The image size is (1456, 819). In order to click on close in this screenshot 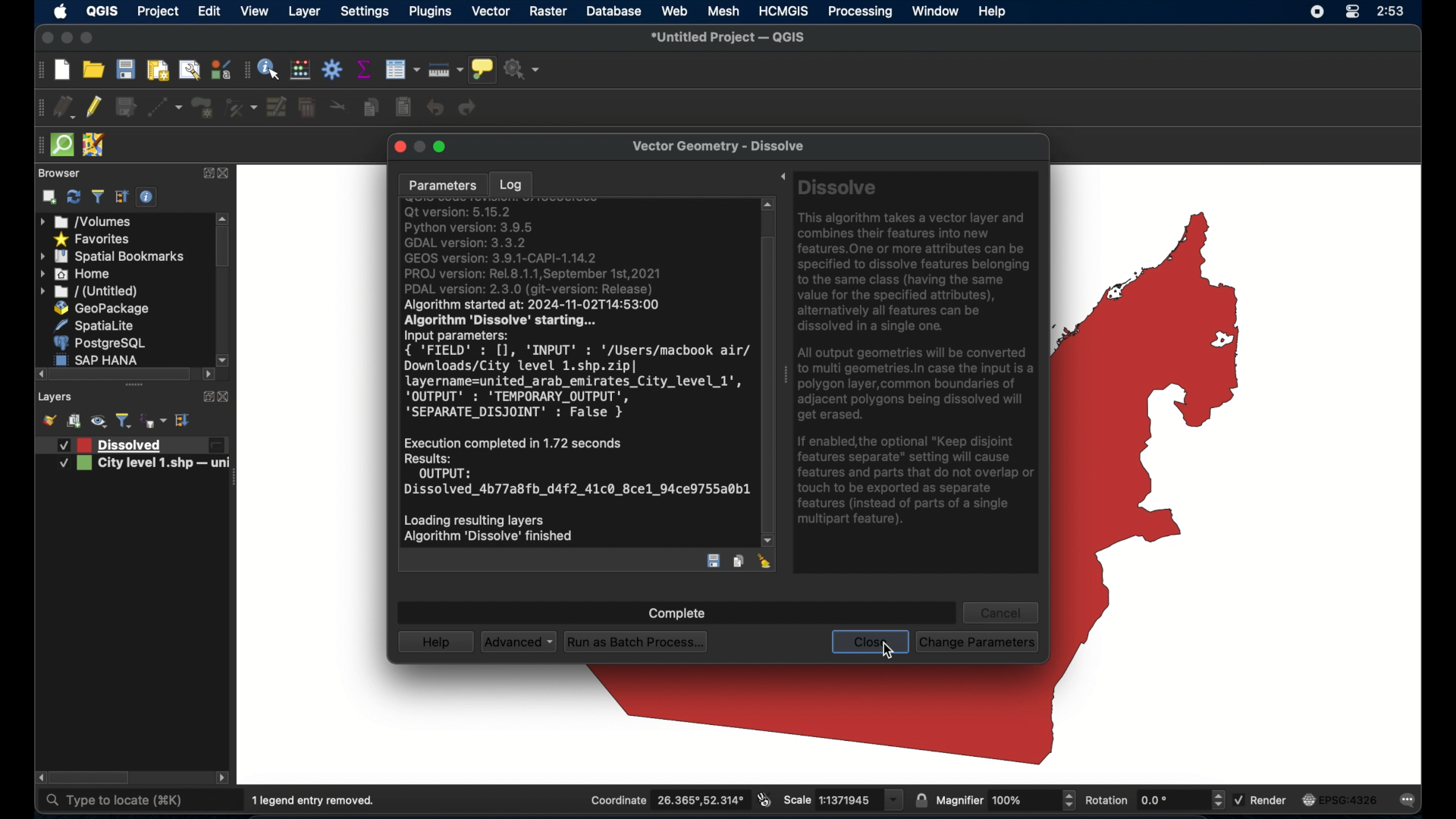, I will do `click(225, 174)`.